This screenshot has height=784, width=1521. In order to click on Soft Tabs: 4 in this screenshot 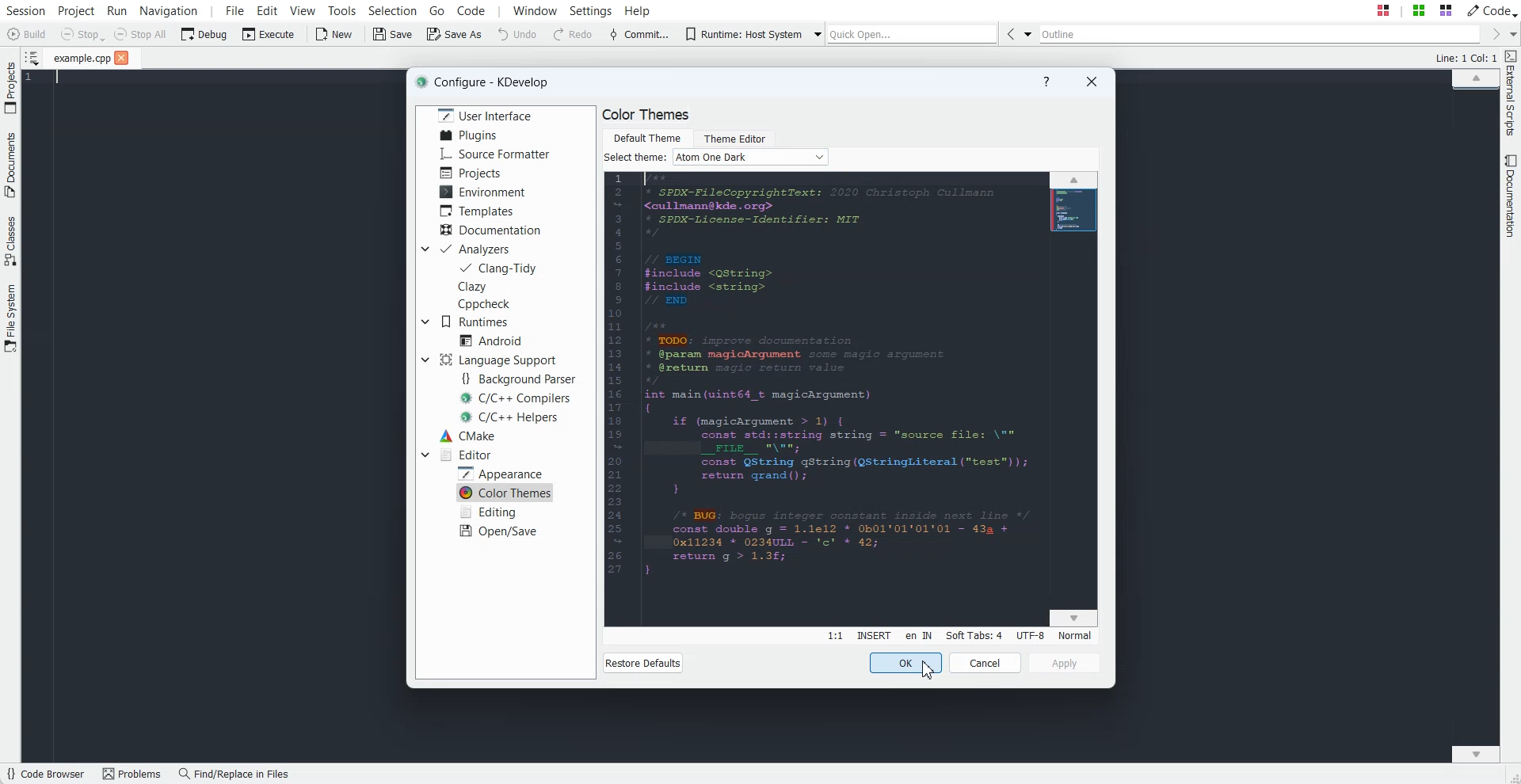, I will do `click(974, 635)`.